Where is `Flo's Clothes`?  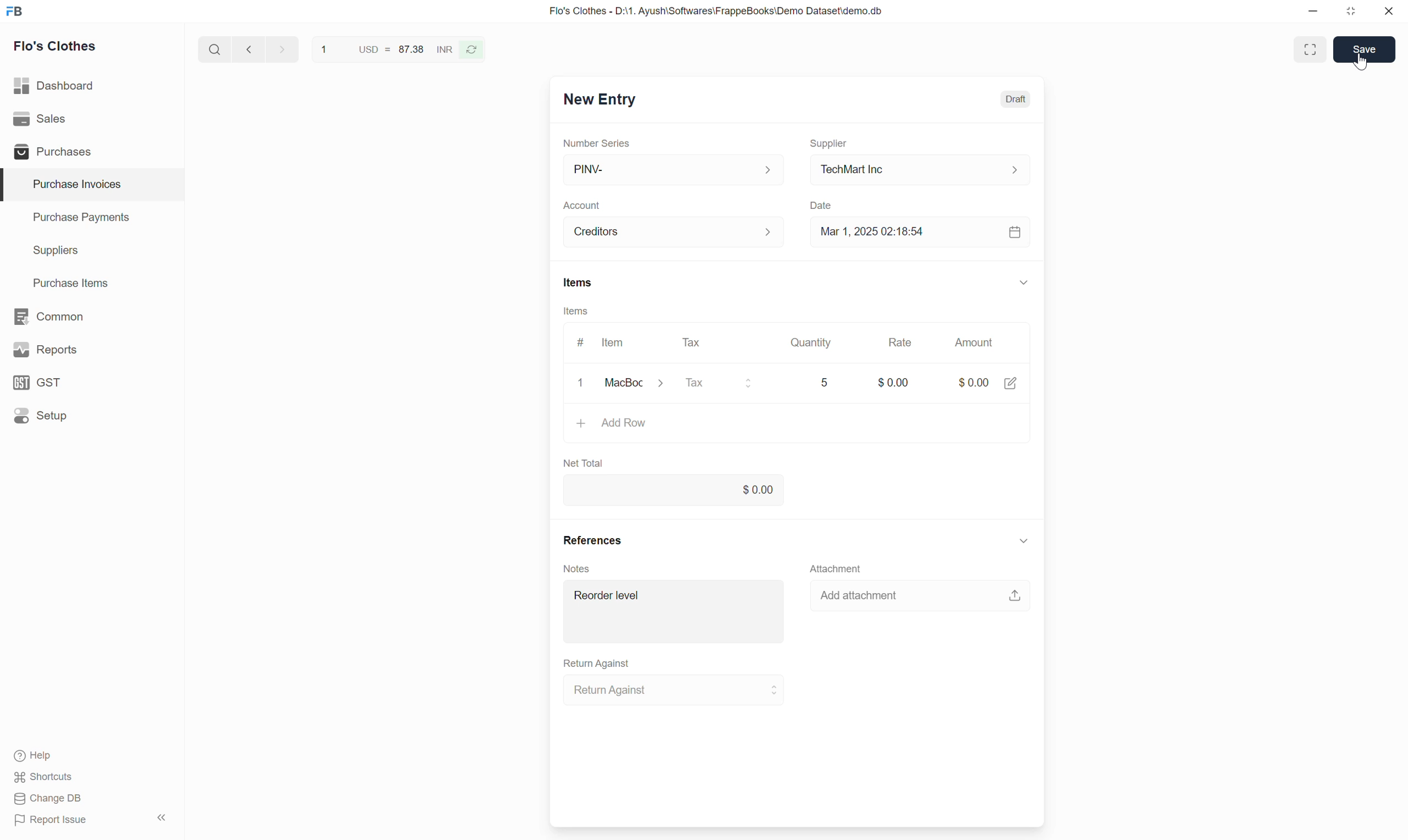
Flo's Clothes is located at coordinates (55, 46).